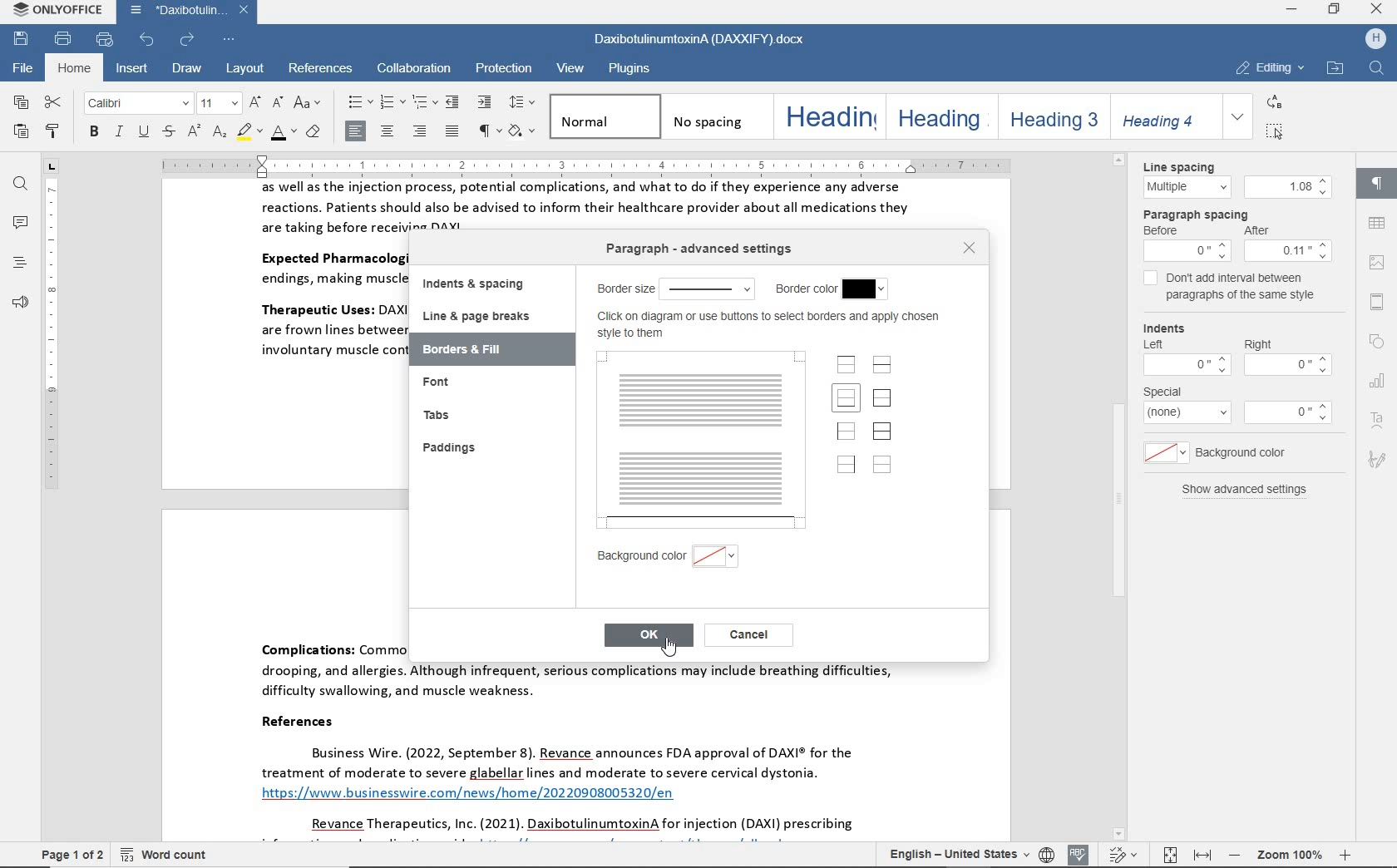 This screenshot has width=1397, height=868. What do you see at coordinates (641, 164) in the screenshot?
I see `ruler` at bounding box center [641, 164].